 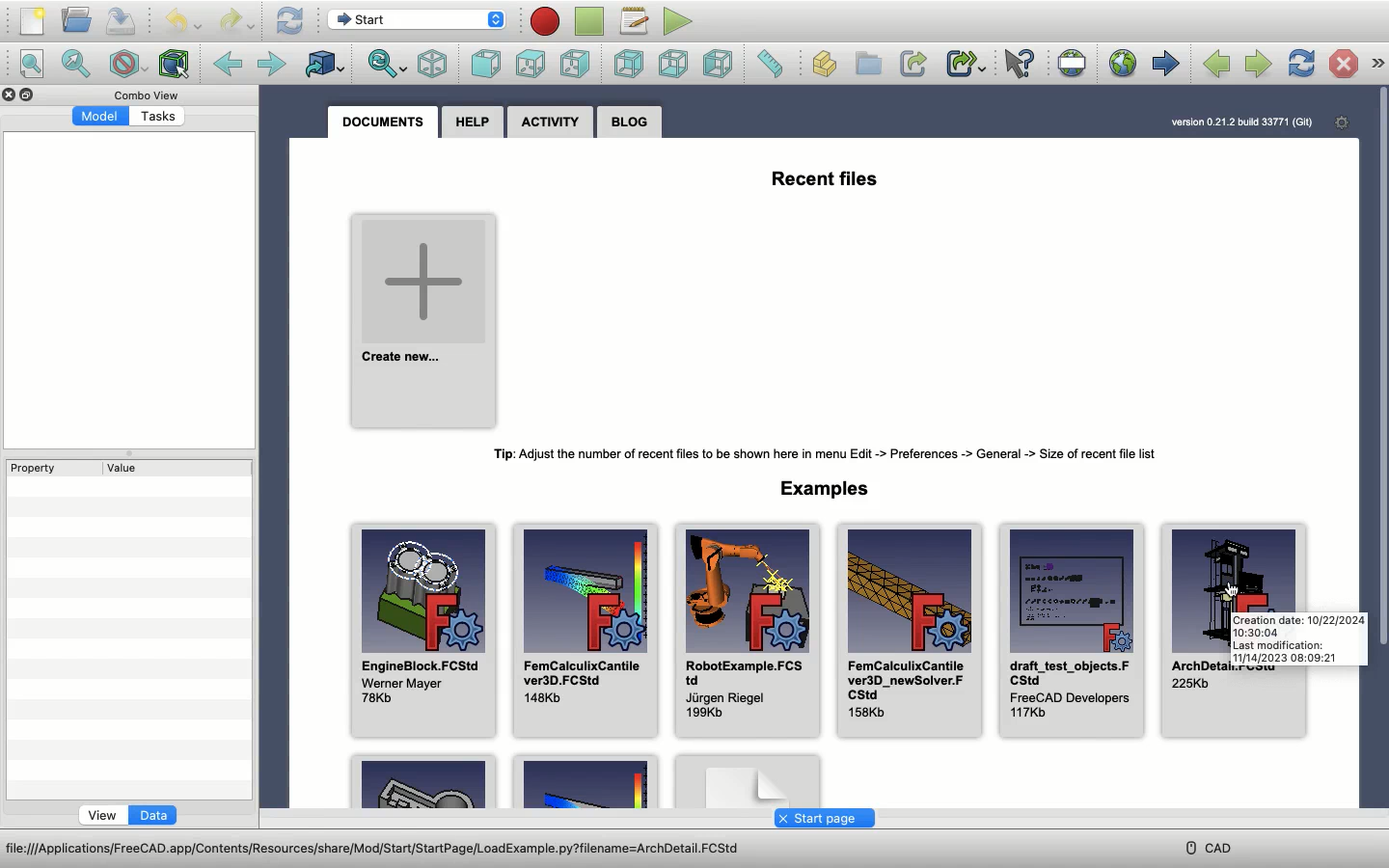 What do you see at coordinates (1214, 65) in the screenshot?
I see `Previous page` at bounding box center [1214, 65].